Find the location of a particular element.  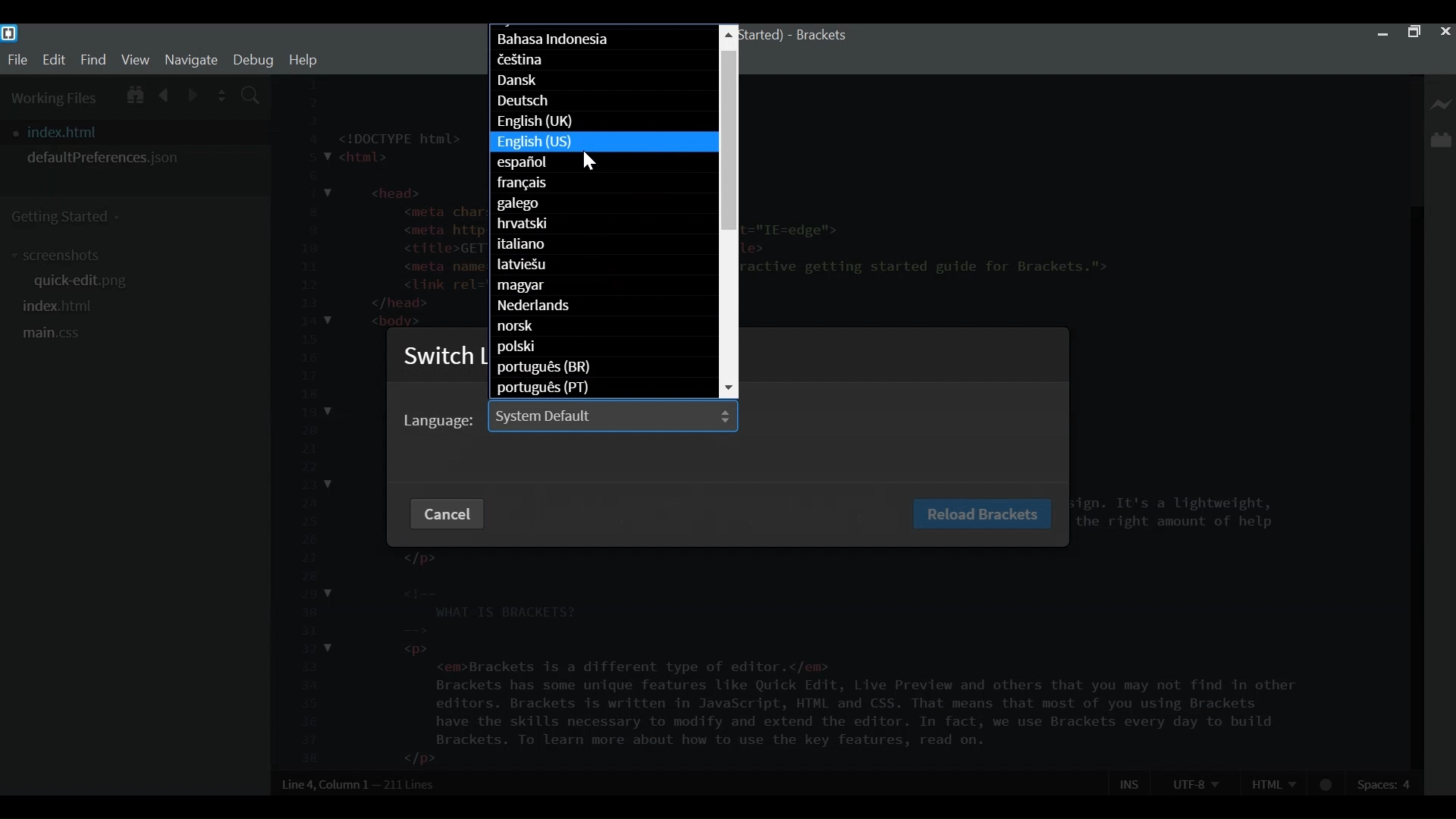

Close is located at coordinates (1445, 32).